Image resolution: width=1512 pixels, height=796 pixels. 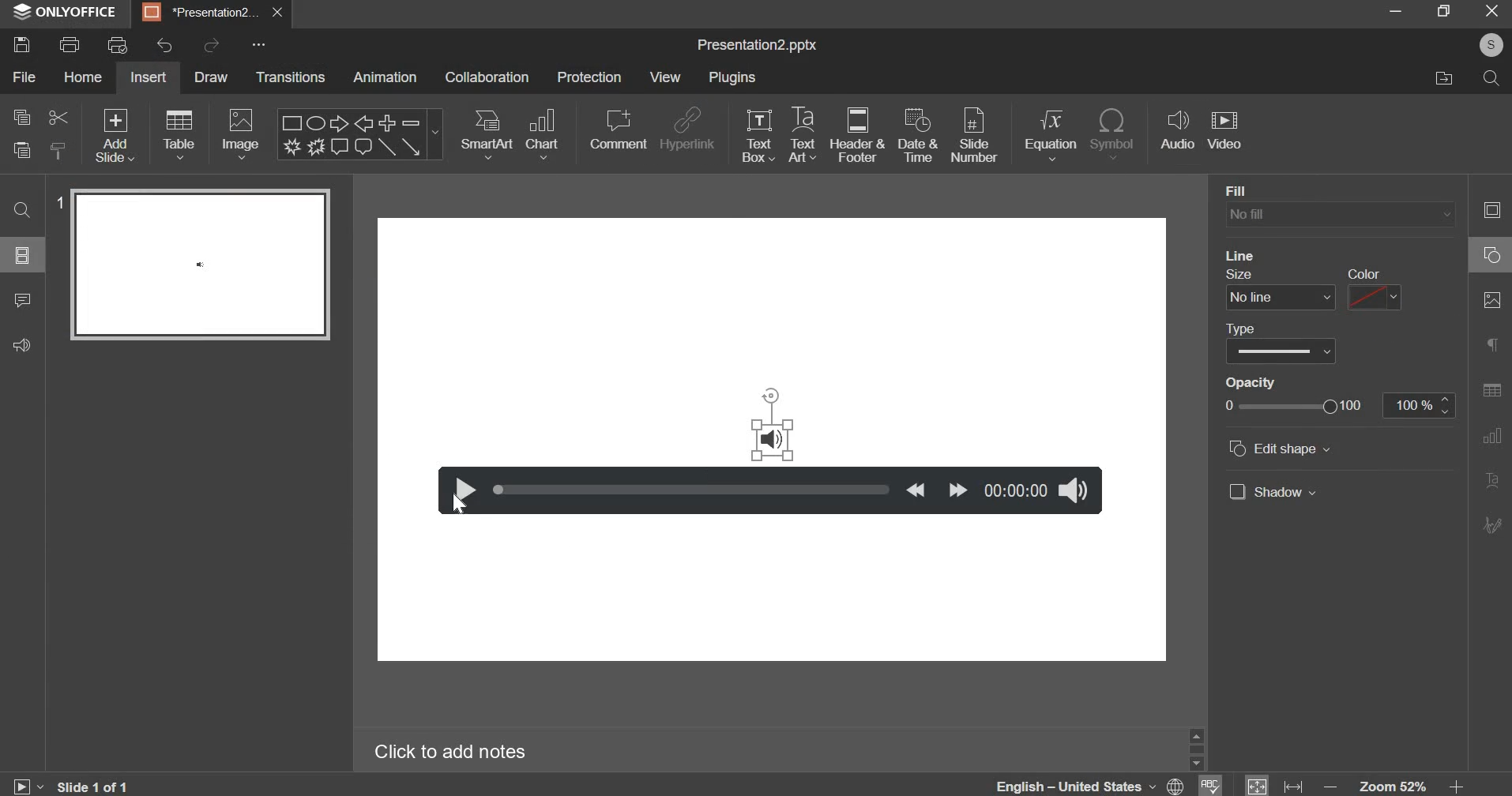 I want to click on collaboration, so click(x=489, y=77).